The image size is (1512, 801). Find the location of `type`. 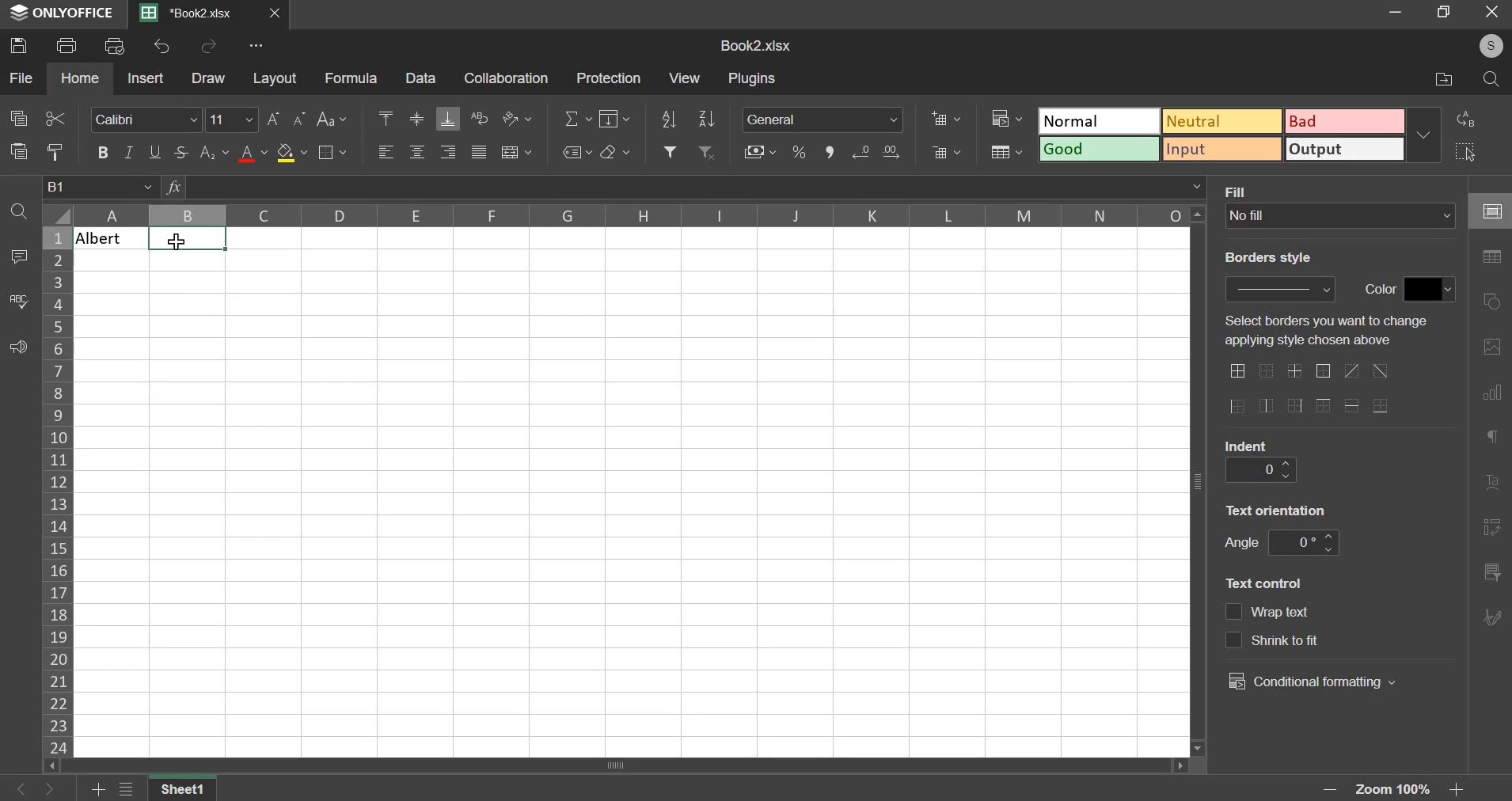

type is located at coordinates (1241, 134).